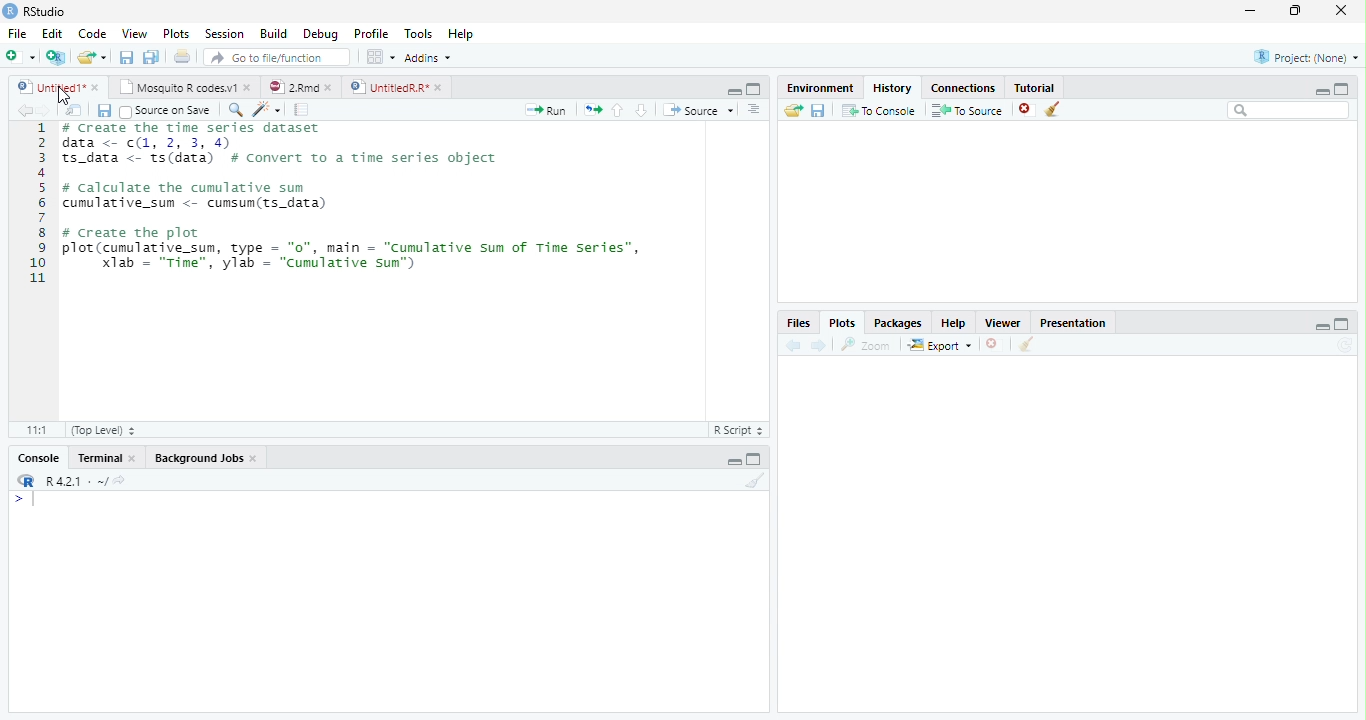  What do you see at coordinates (992, 344) in the screenshot?
I see `Delete` at bounding box center [992, 344].